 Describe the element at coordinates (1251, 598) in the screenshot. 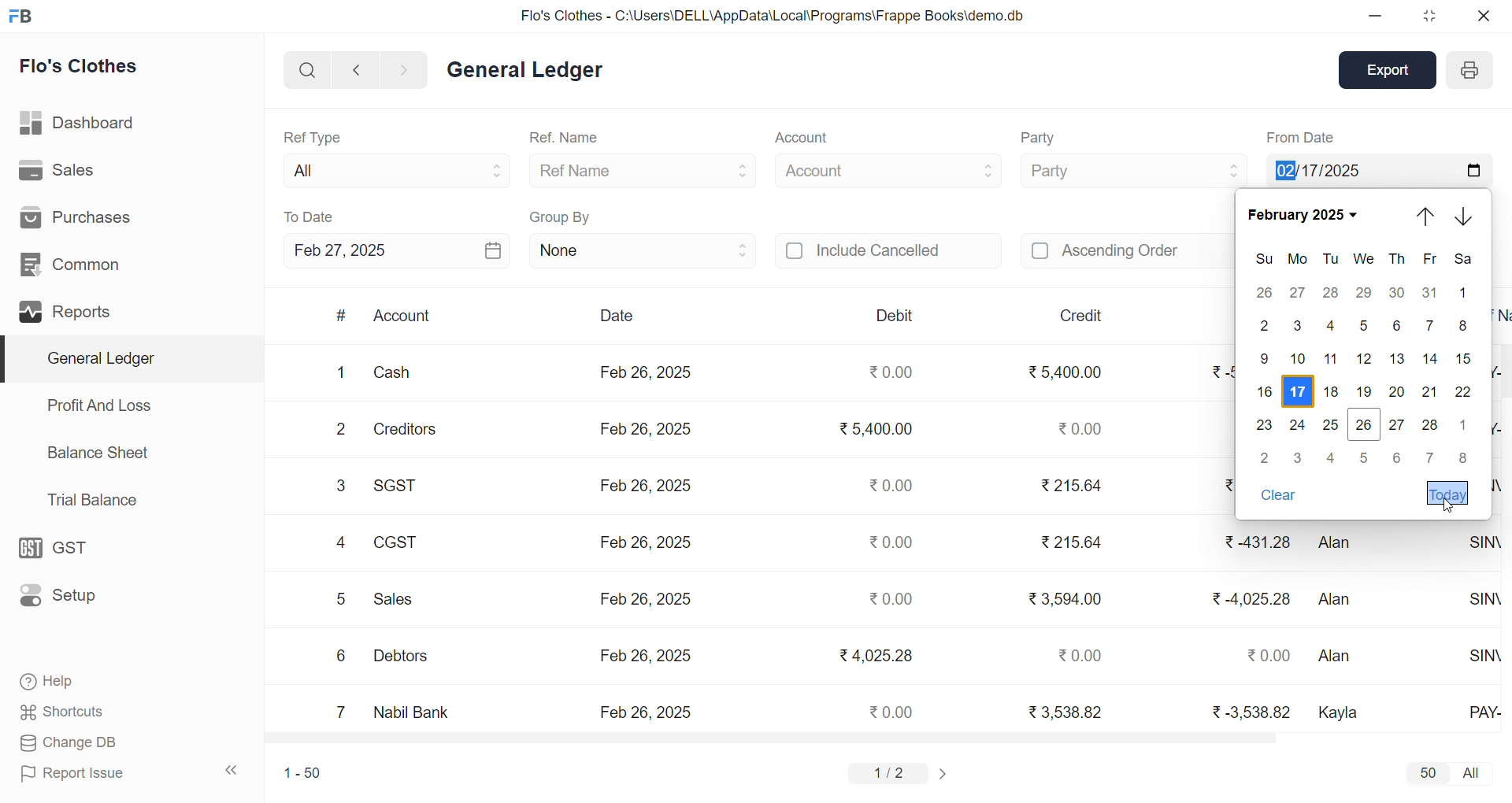

I see `₹-4,025.28` at that location.